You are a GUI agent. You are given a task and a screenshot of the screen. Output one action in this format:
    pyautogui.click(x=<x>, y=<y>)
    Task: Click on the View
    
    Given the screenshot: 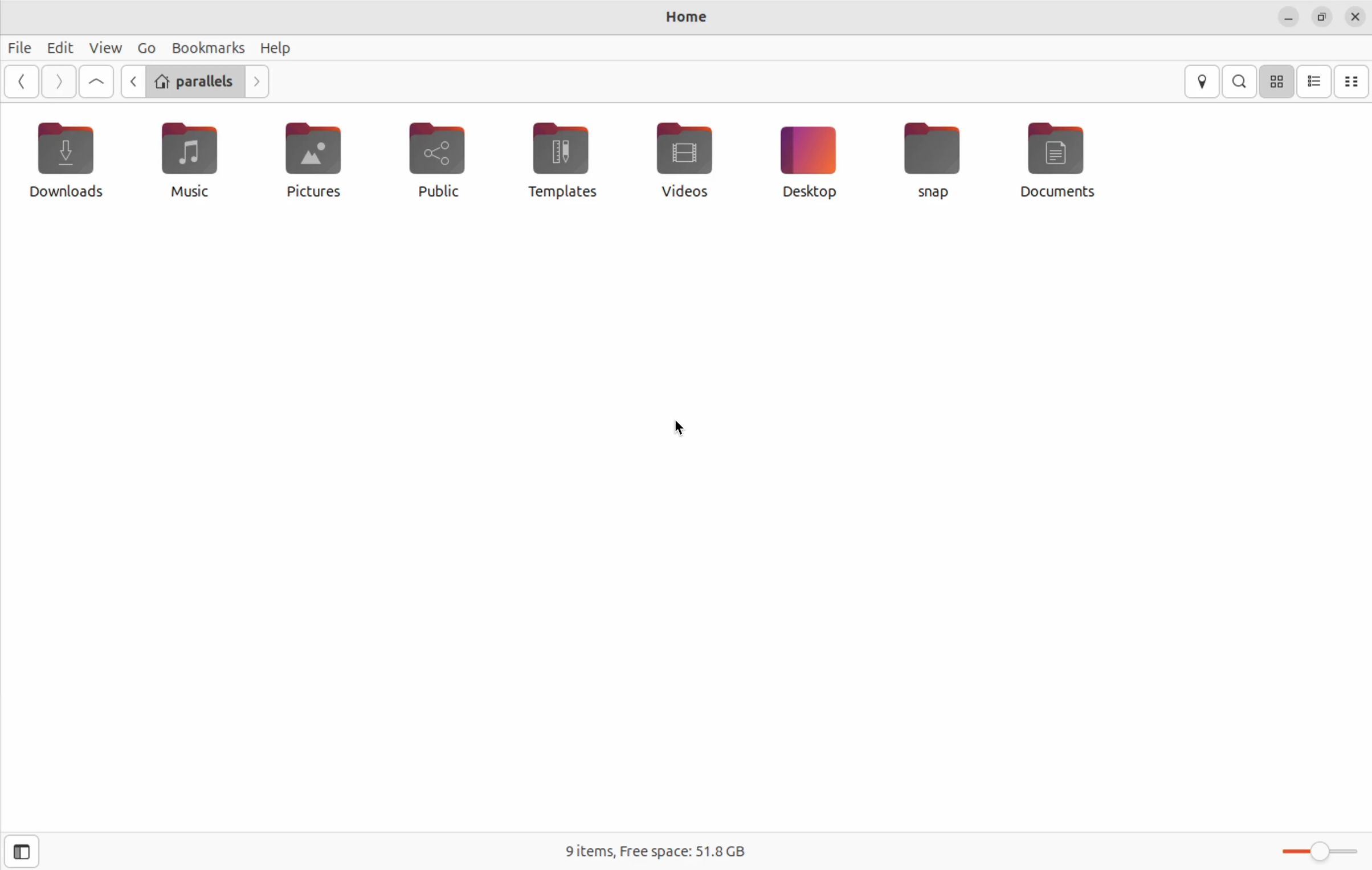 What is the action you would take?
    pyautogui.click(x=105, y=47)
    